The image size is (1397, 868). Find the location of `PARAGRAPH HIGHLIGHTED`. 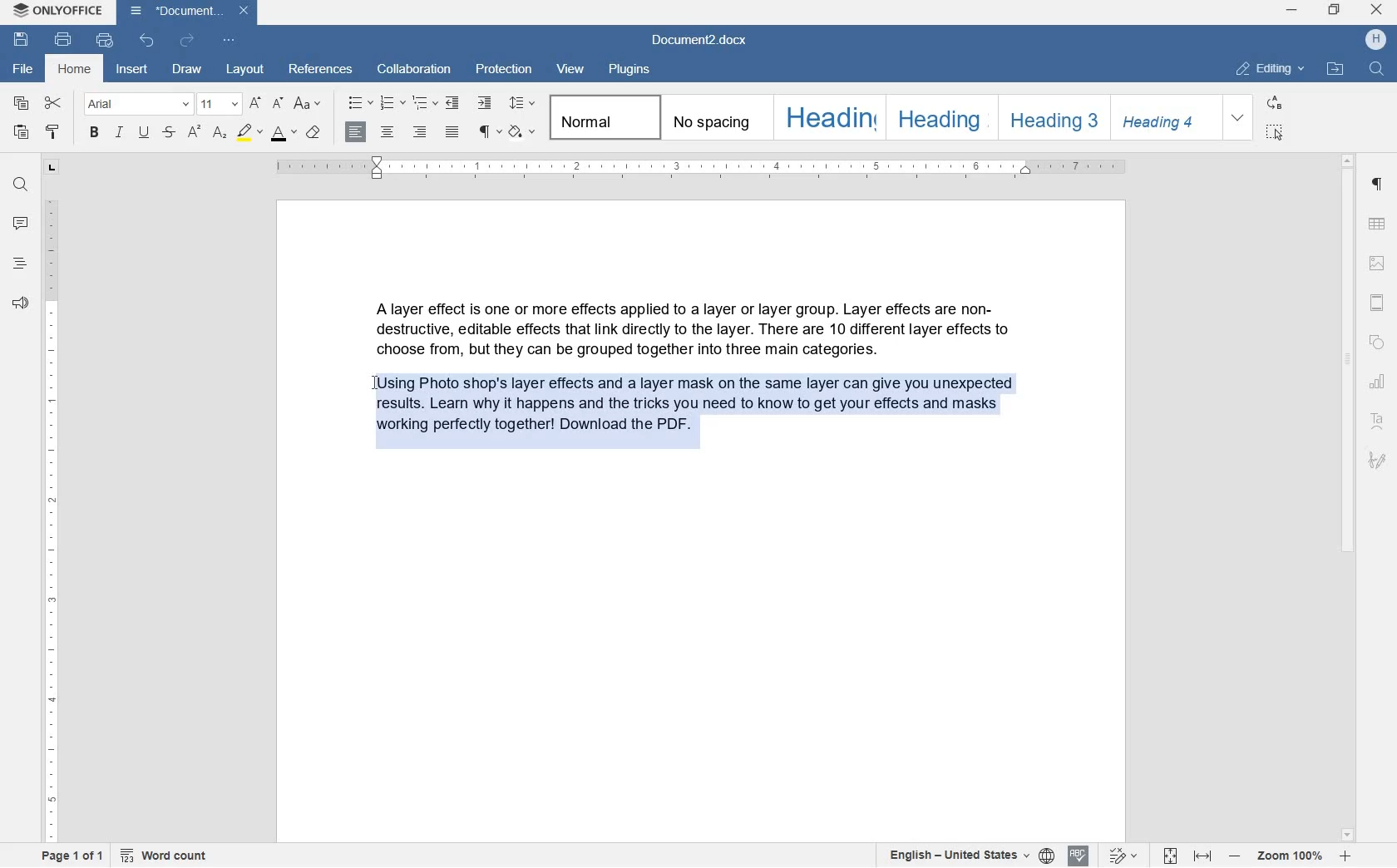

PARAGRAPH HIGHLIGHTED is located at coordinates (697, 402).